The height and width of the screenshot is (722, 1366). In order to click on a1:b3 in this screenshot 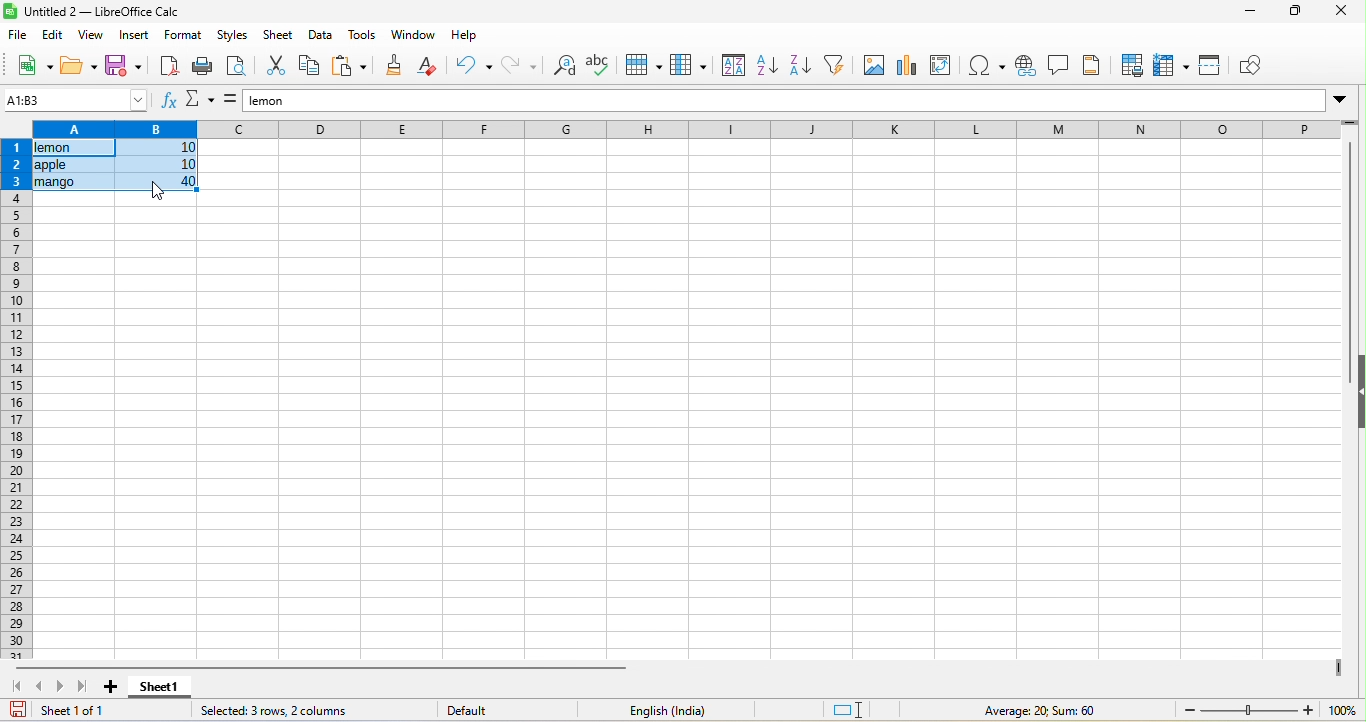, I will do `click(76, 100)`.